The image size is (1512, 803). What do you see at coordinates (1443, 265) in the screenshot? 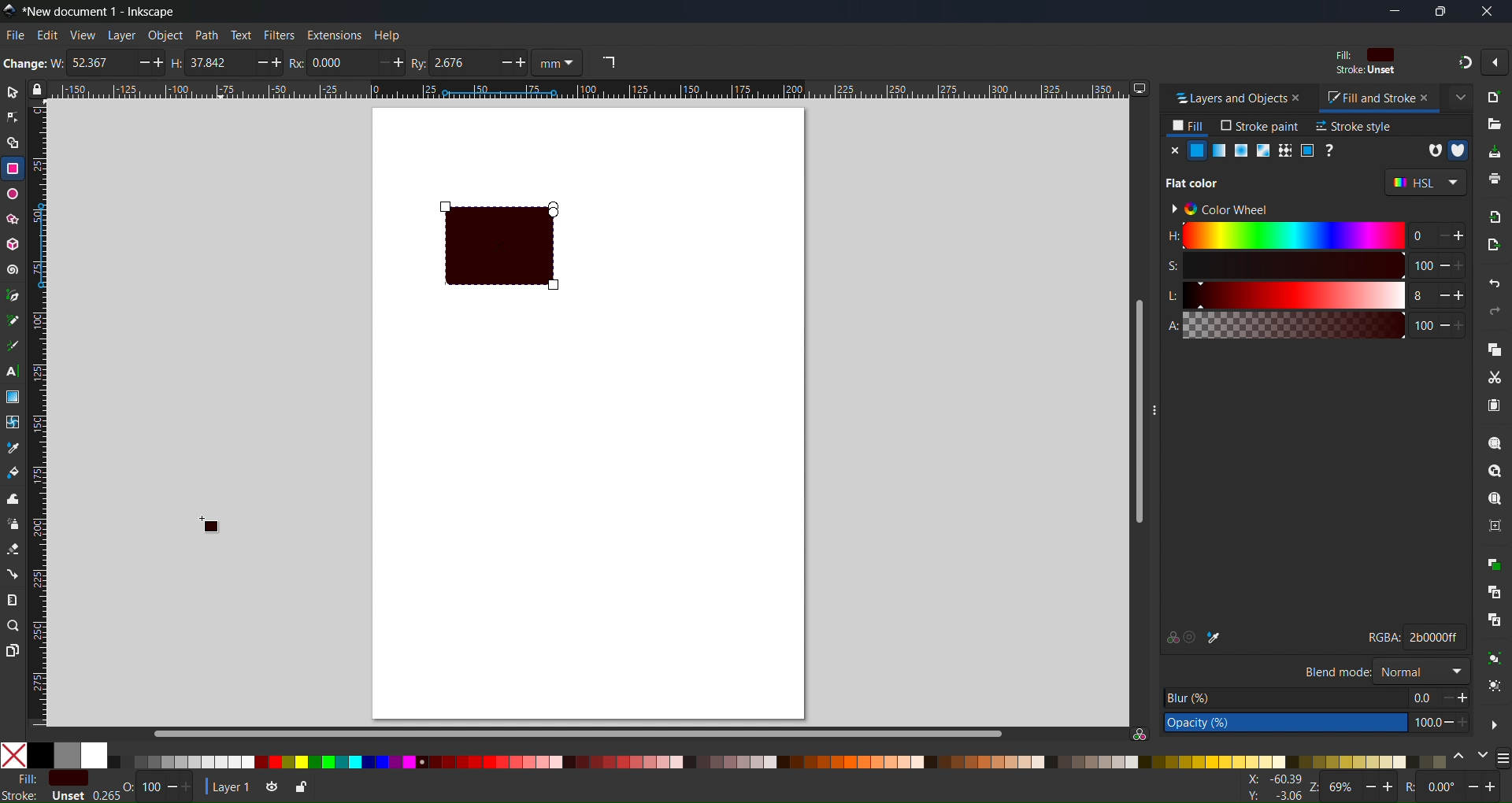
I see `decrease saturation` at bounding box center [1443, 265].